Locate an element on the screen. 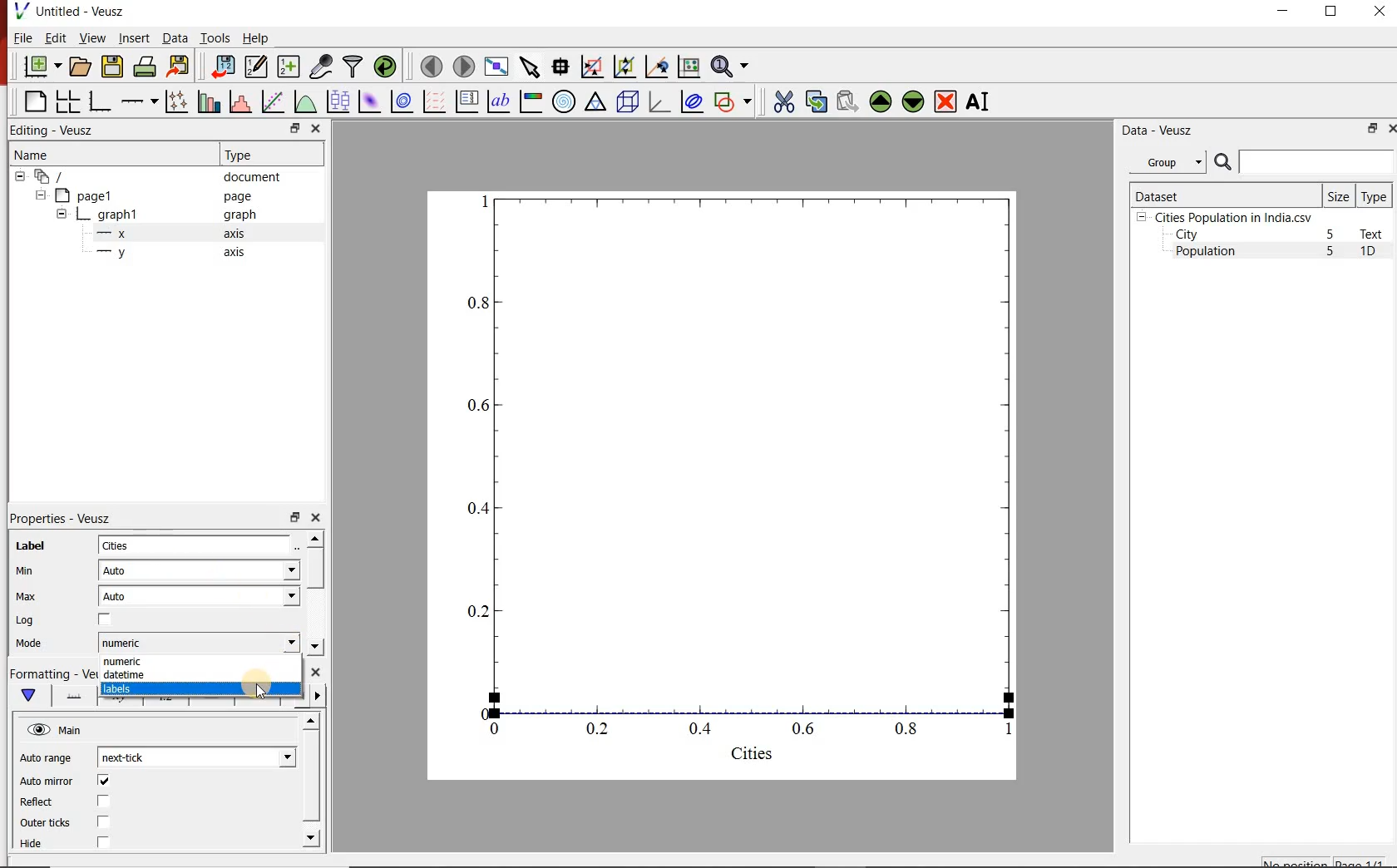 Image resolution: width=1397 pixels, height=868 pixels. minor ticks is located at coordinates (258, 703).